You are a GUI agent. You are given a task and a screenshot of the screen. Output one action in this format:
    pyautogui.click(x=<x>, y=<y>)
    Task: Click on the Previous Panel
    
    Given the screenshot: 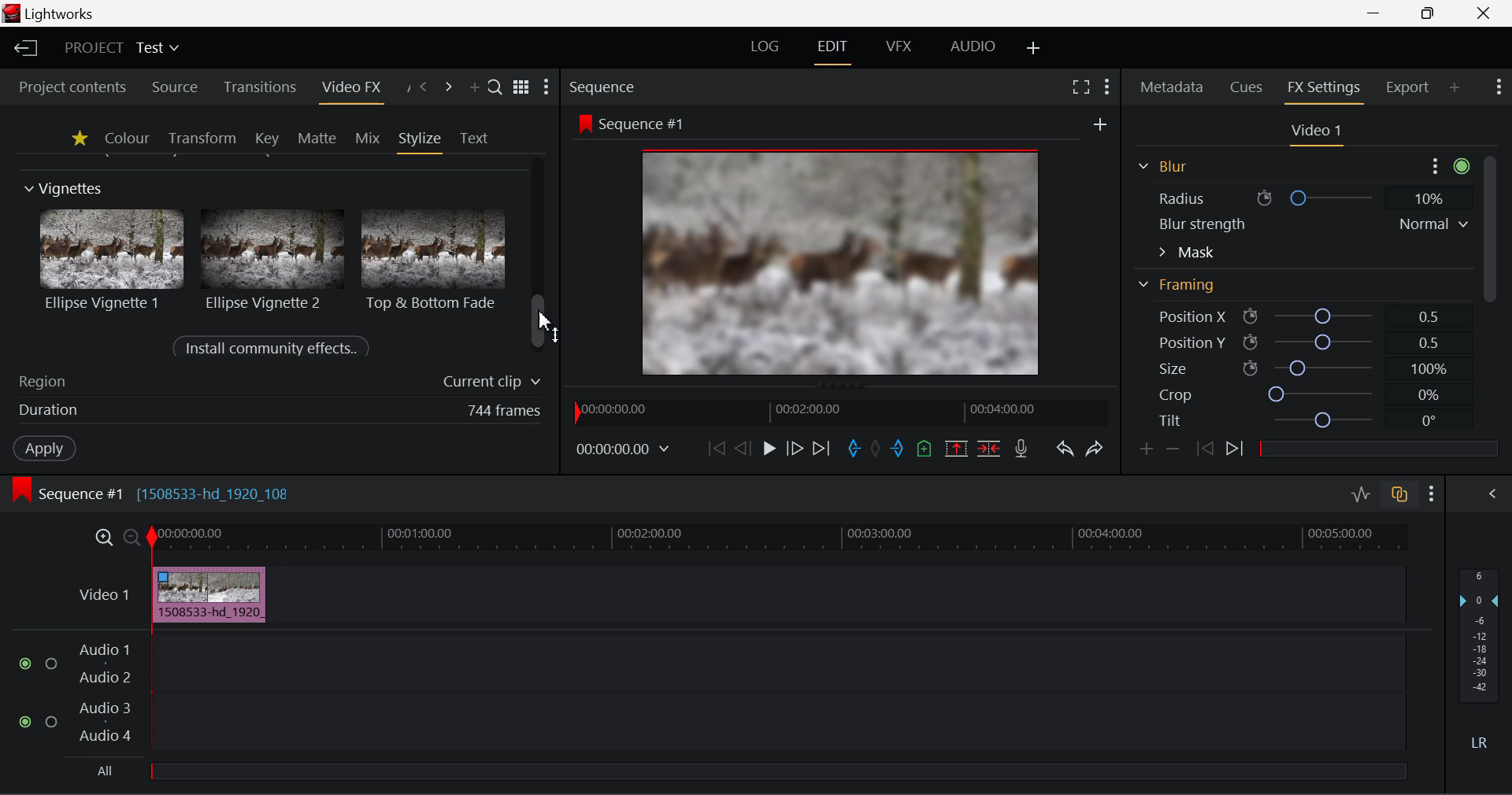 What is the action you would take?
    pyautogui.click(x=424, y=87)
    